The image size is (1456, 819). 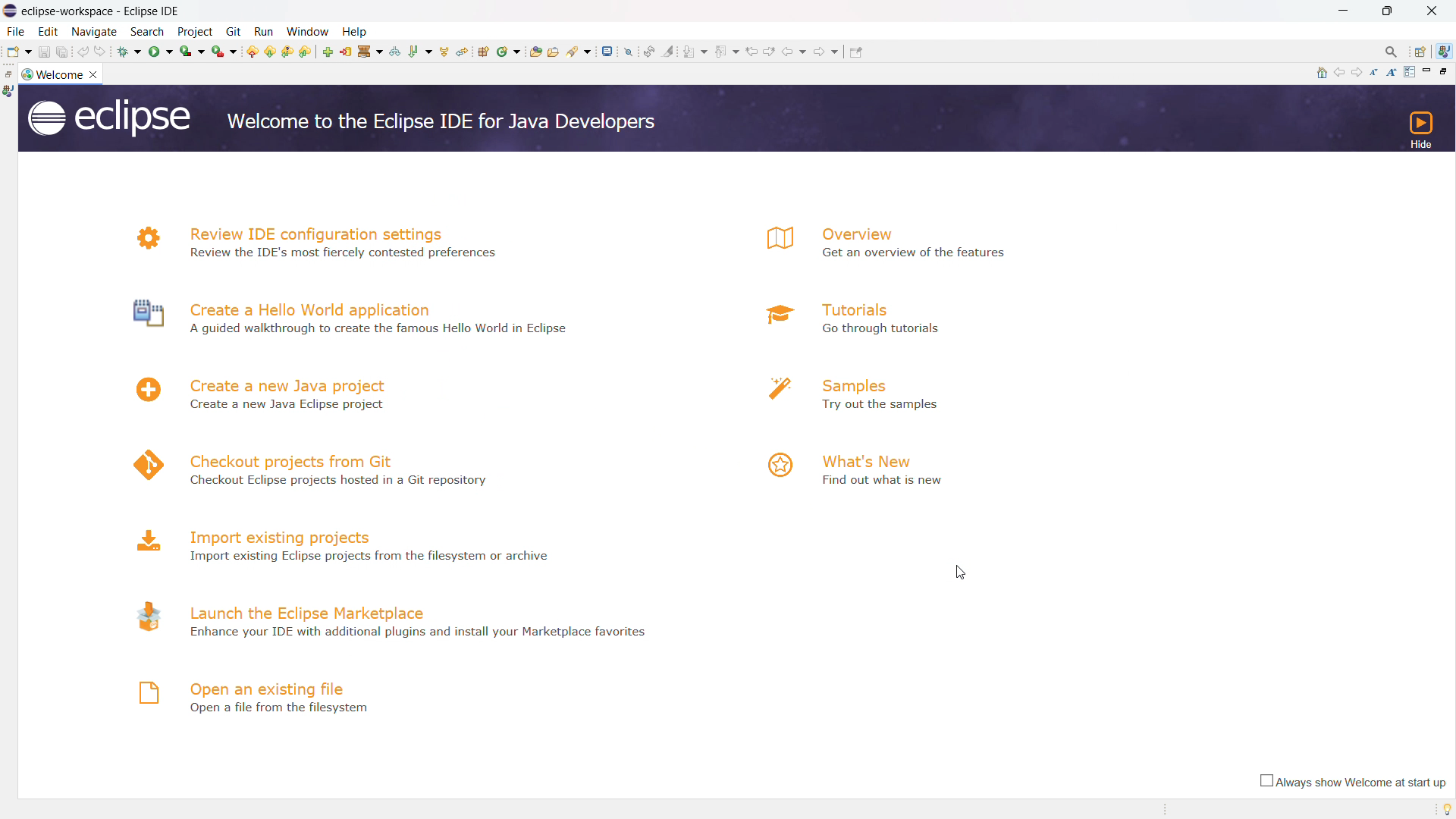 What do you see at coordinates (83, 52) in the screenshot?
I see `undo` at bounding box center [83, 52].